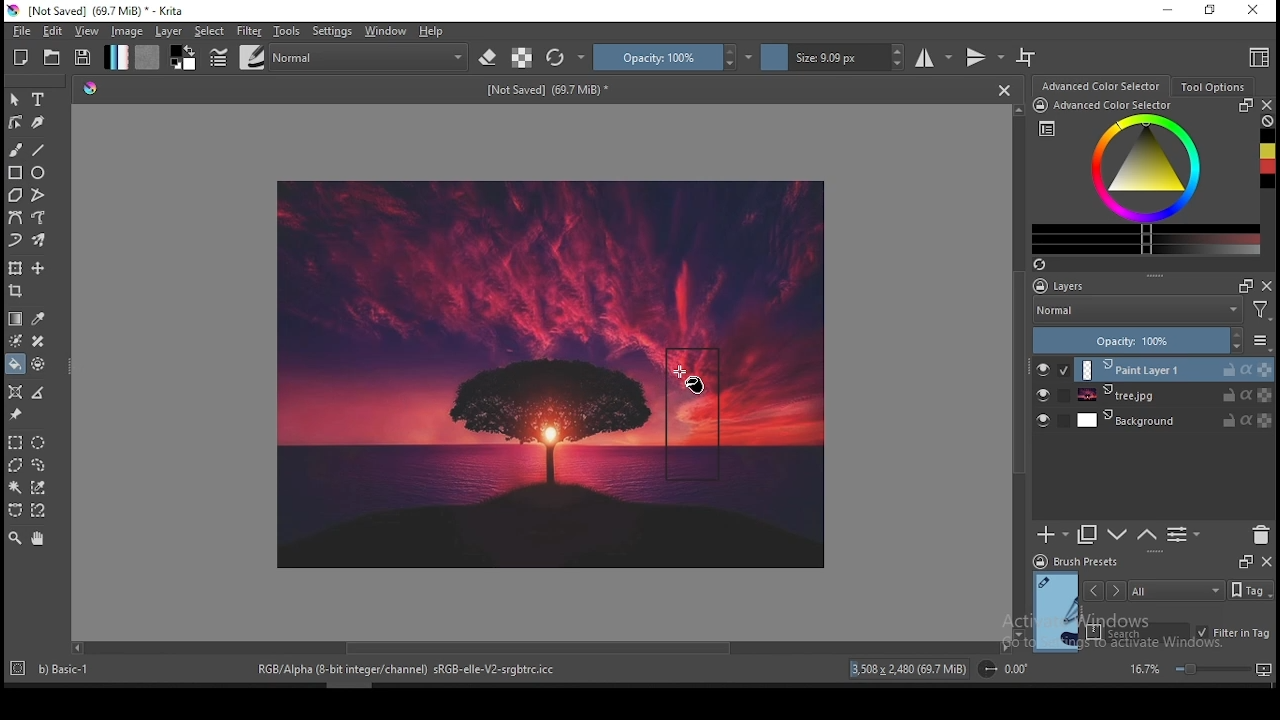  What do you see at coordinates (1173, 396) in the screenshot?
I see `layer` at bounding box center [1173, 396].